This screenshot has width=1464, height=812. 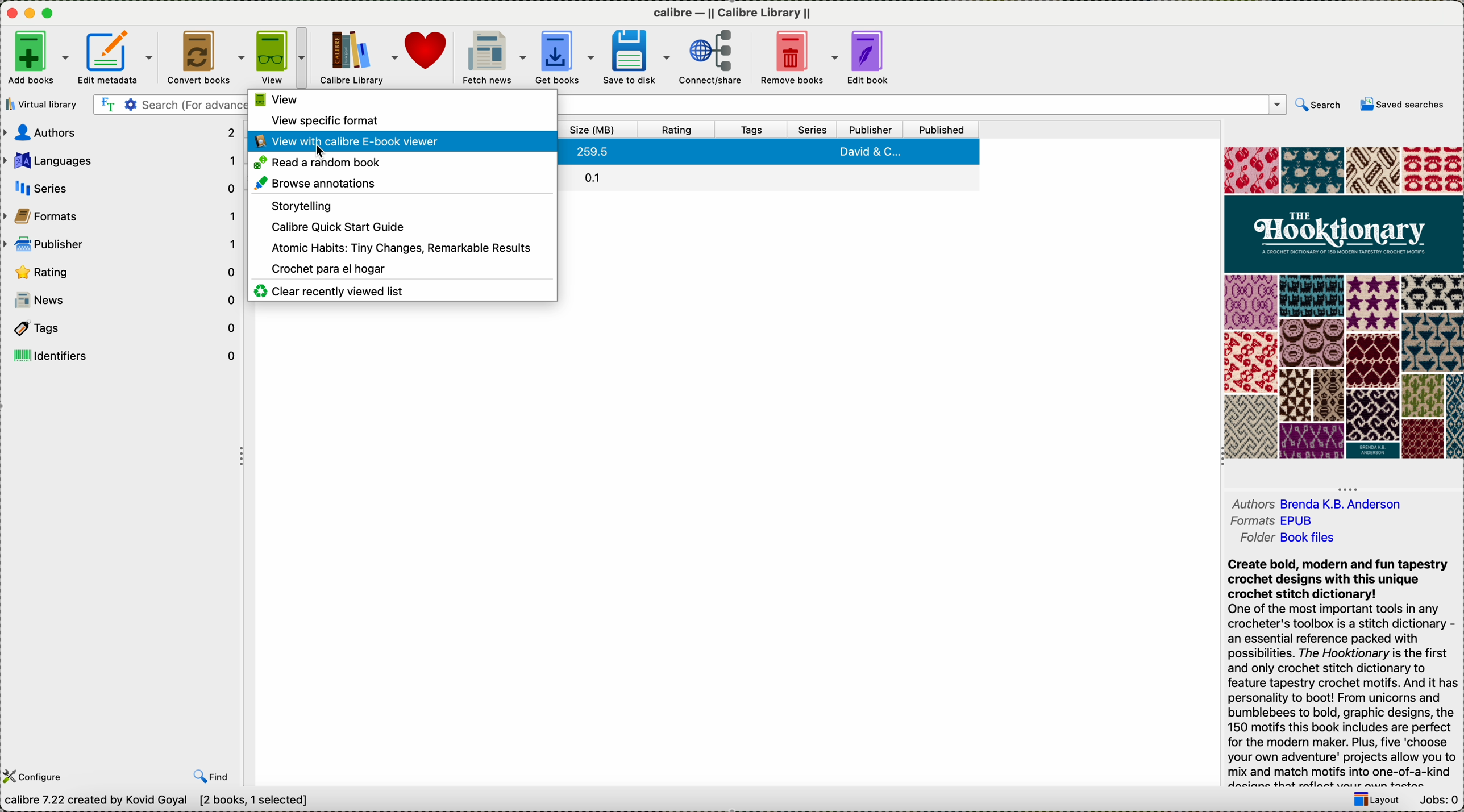 I want to click on series, so click(x=120, y=186).